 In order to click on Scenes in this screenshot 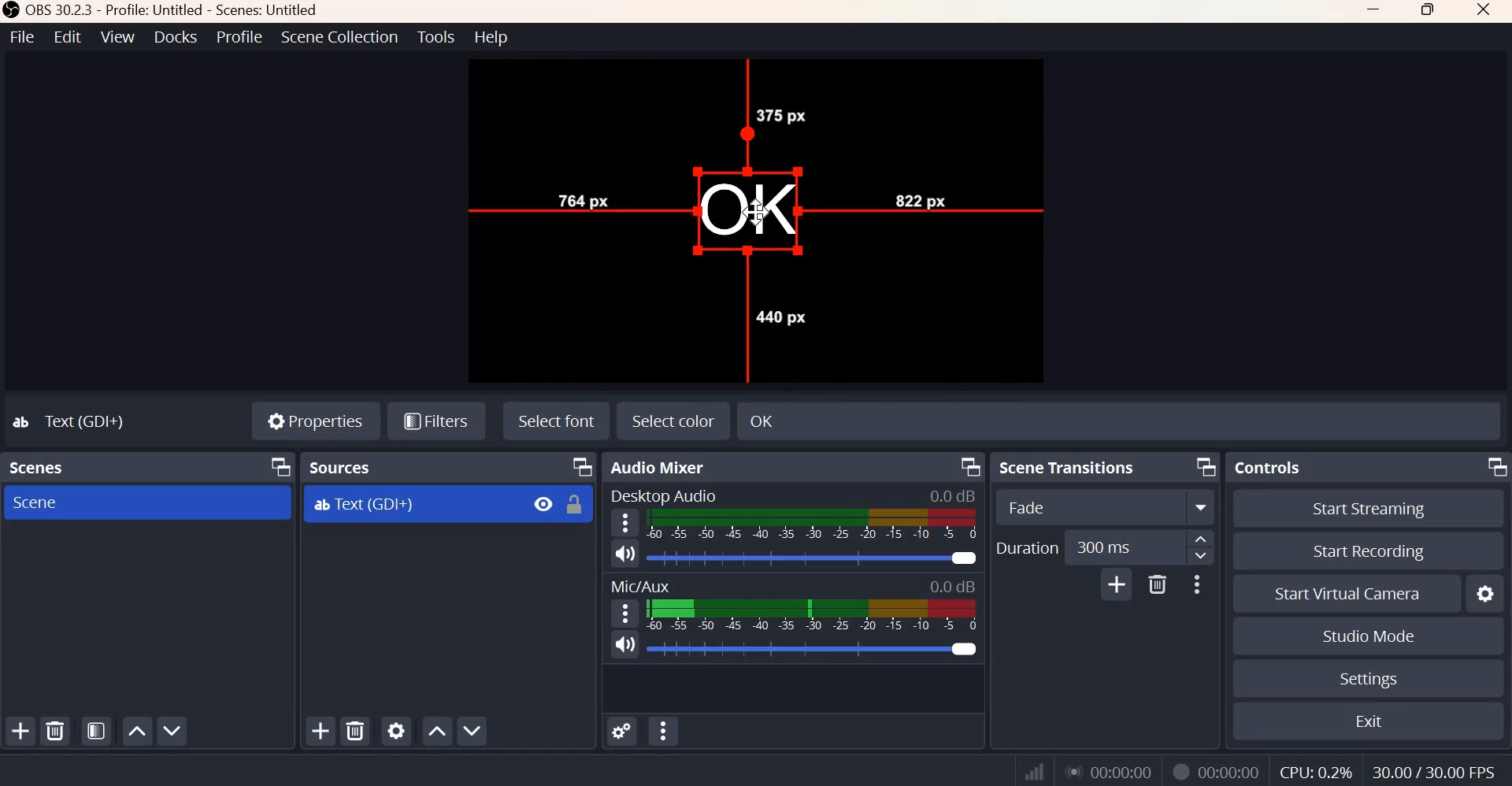, I will do `click(41, 467)`.